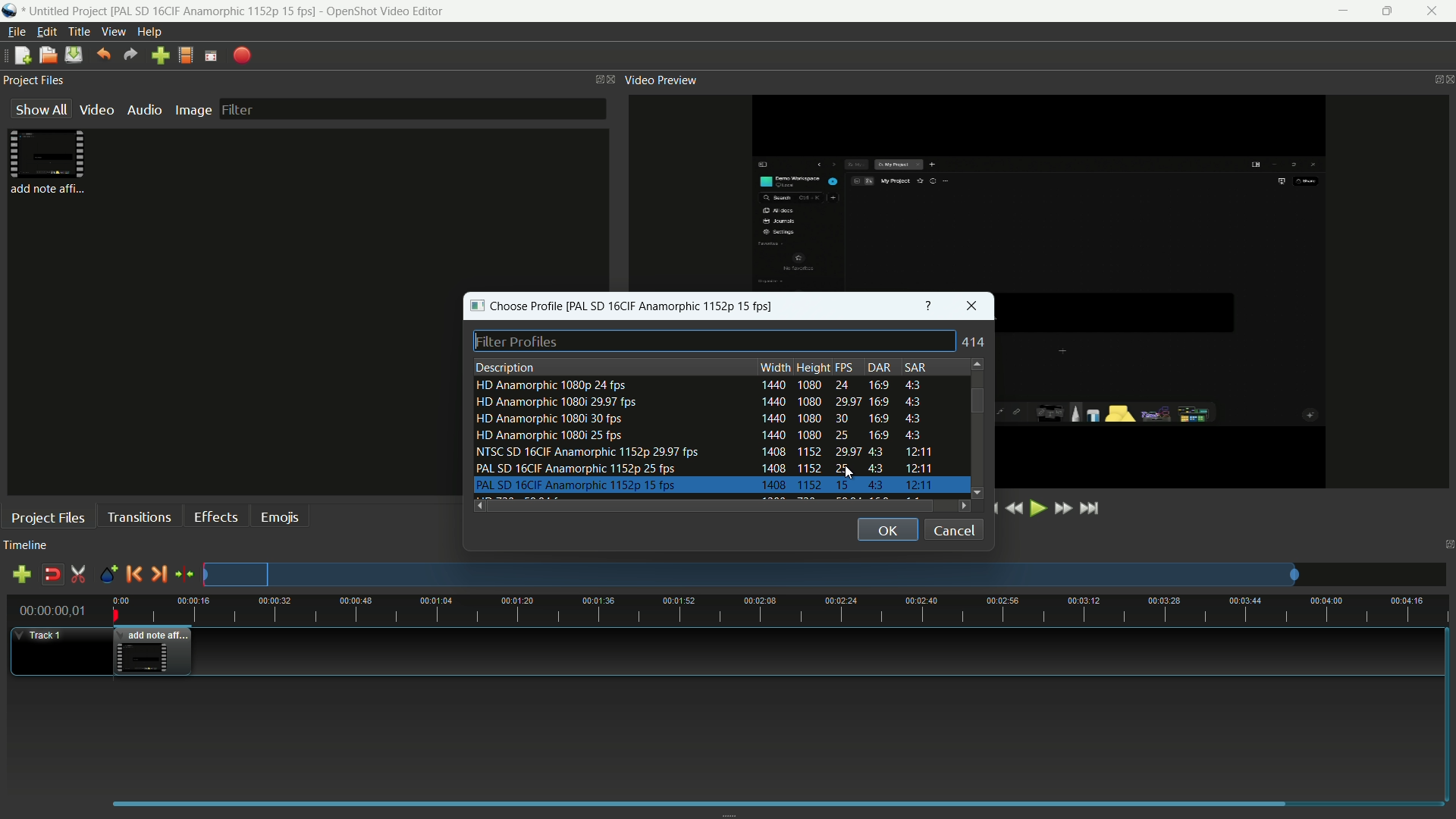 This screenshot has width=1456, height=819. What do you see at coordinates (1447, 80) in the screenshot?
I see `close video preview` at bounding box center [1447, 80].